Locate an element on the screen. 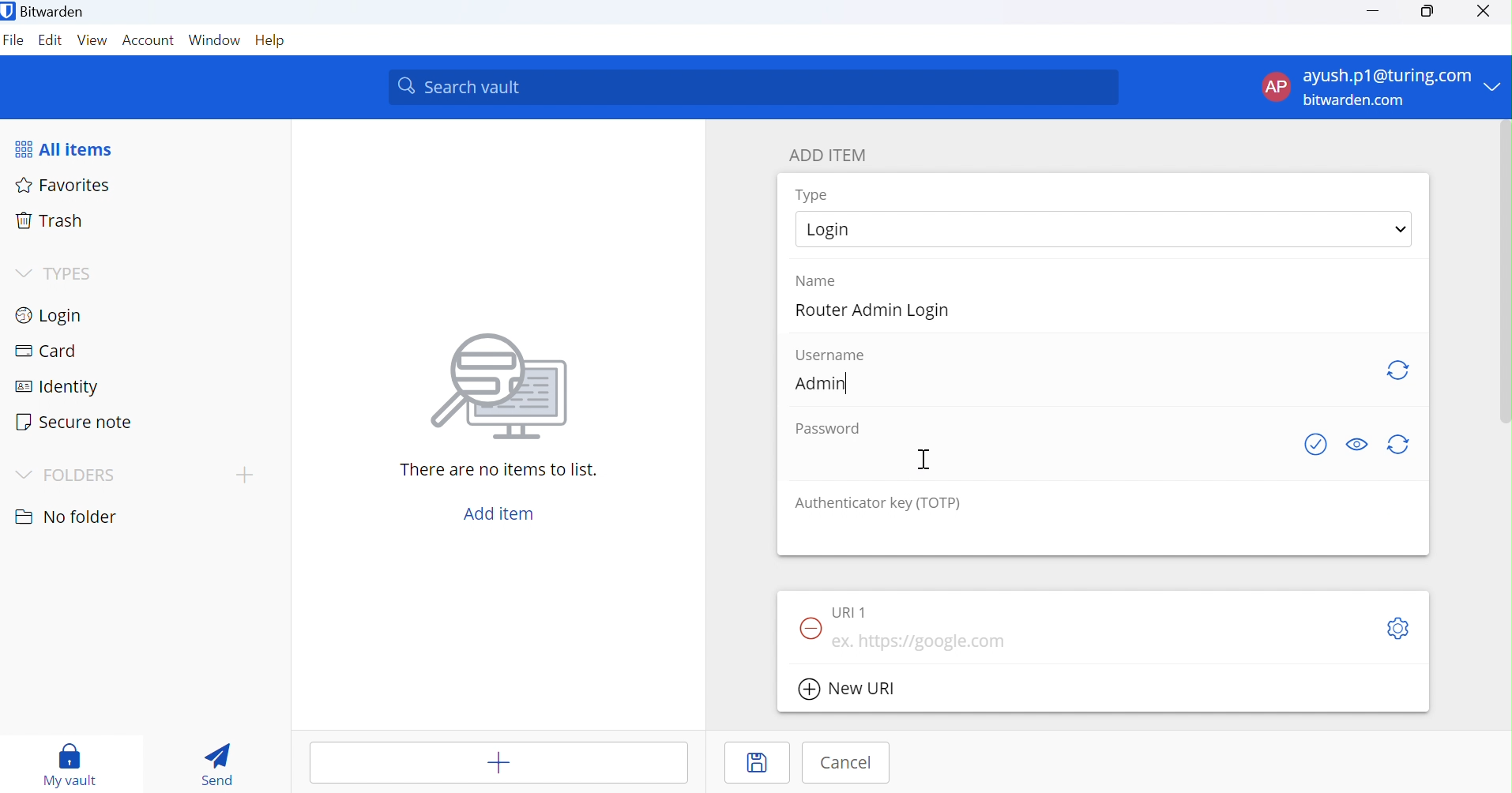  Bitwarden is located at coordinates (45, 10).